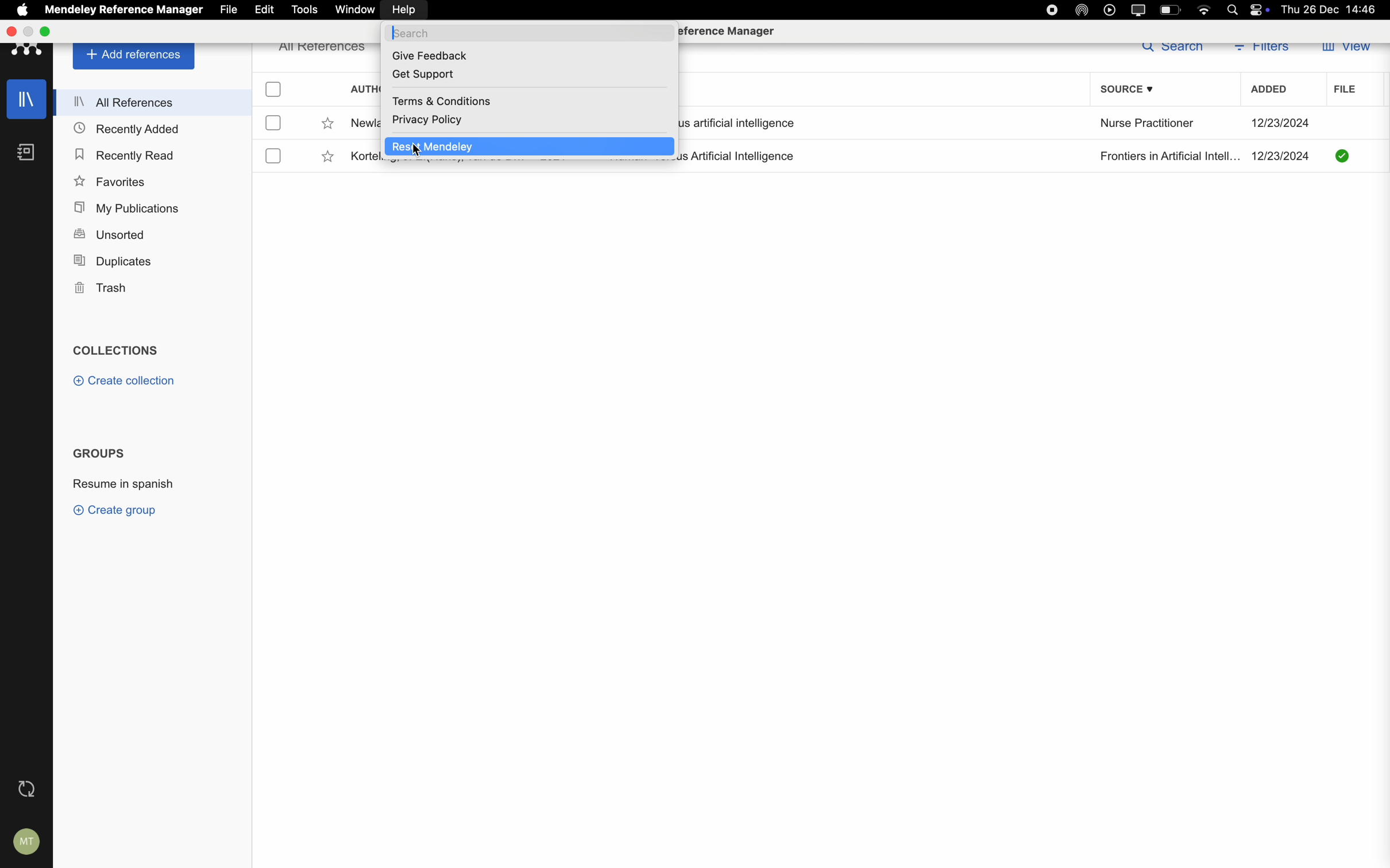 This screenshot has width=1390, height=868. I want to click on create collection, so click(122, 382).